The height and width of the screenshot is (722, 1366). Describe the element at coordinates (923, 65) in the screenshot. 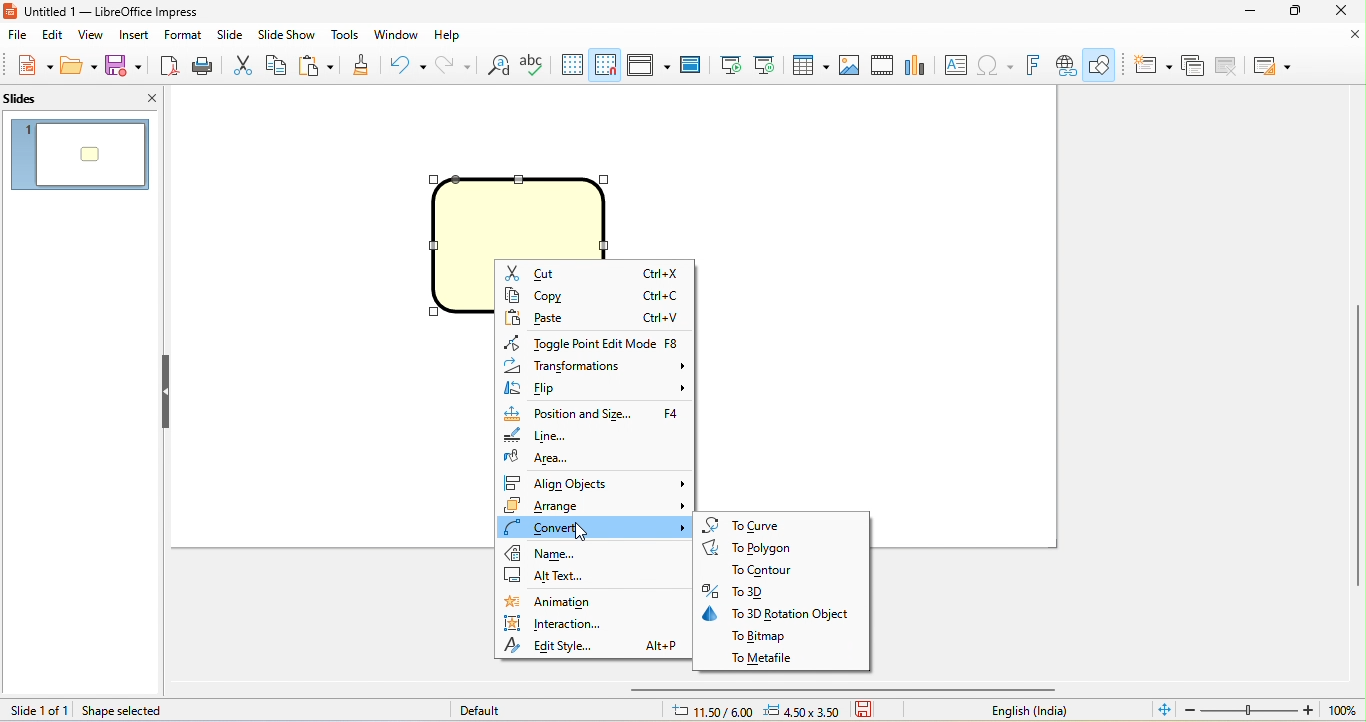

I see `chart` at that location.